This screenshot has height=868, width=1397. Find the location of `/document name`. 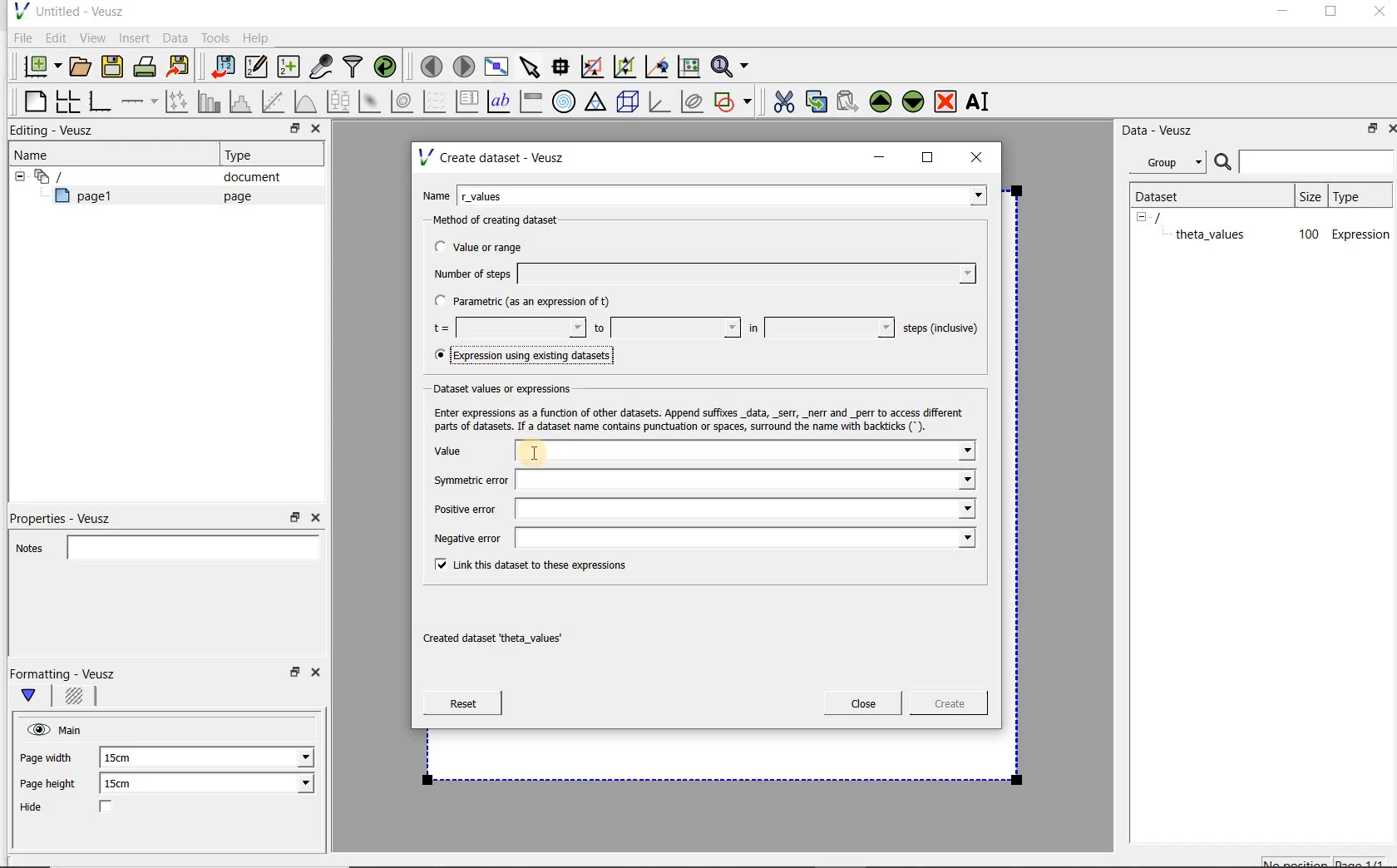

/document name is located at coordinates (1172, 216).